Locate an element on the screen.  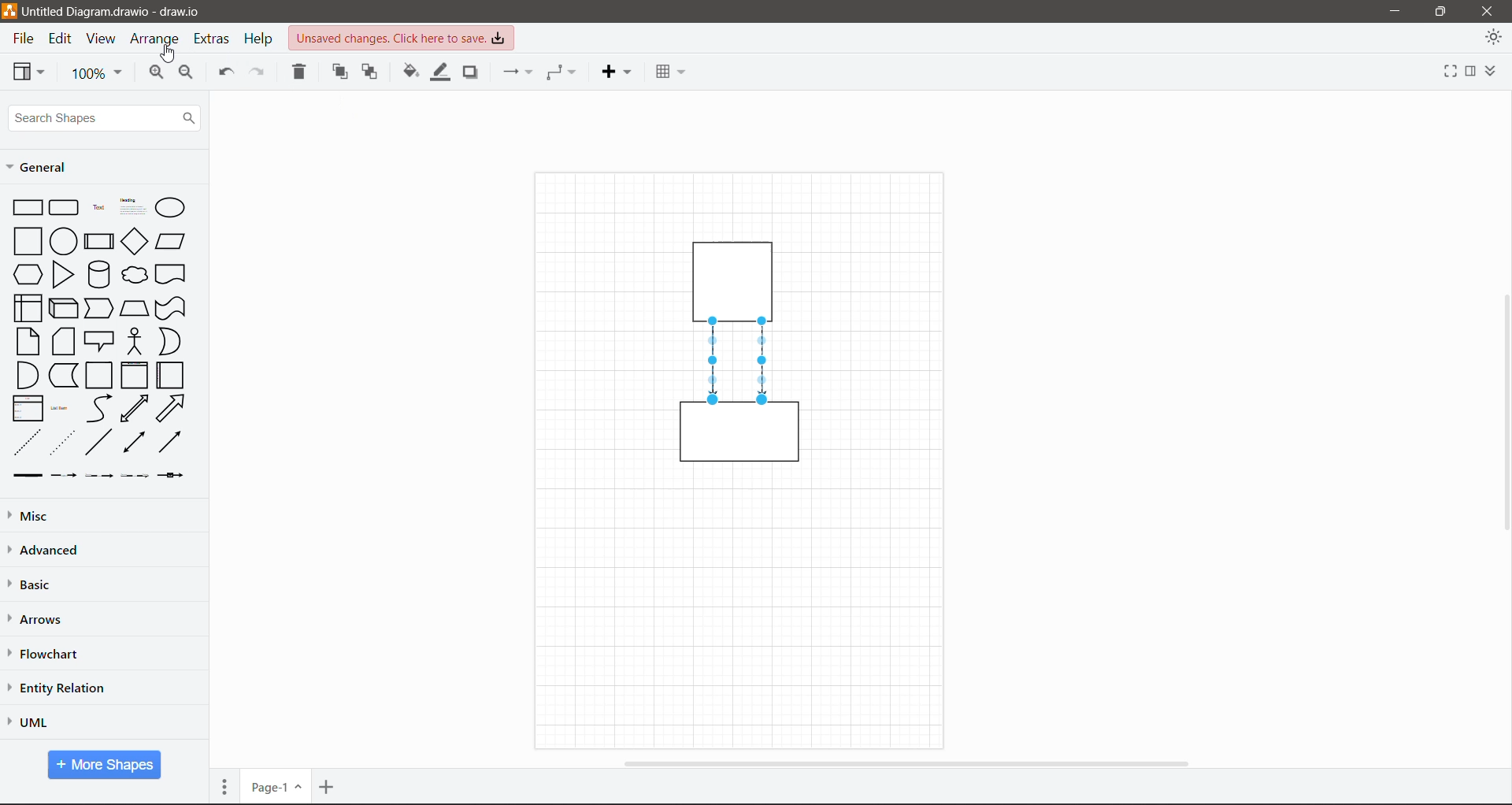
Zoom In is located at coordinates (154, 74).